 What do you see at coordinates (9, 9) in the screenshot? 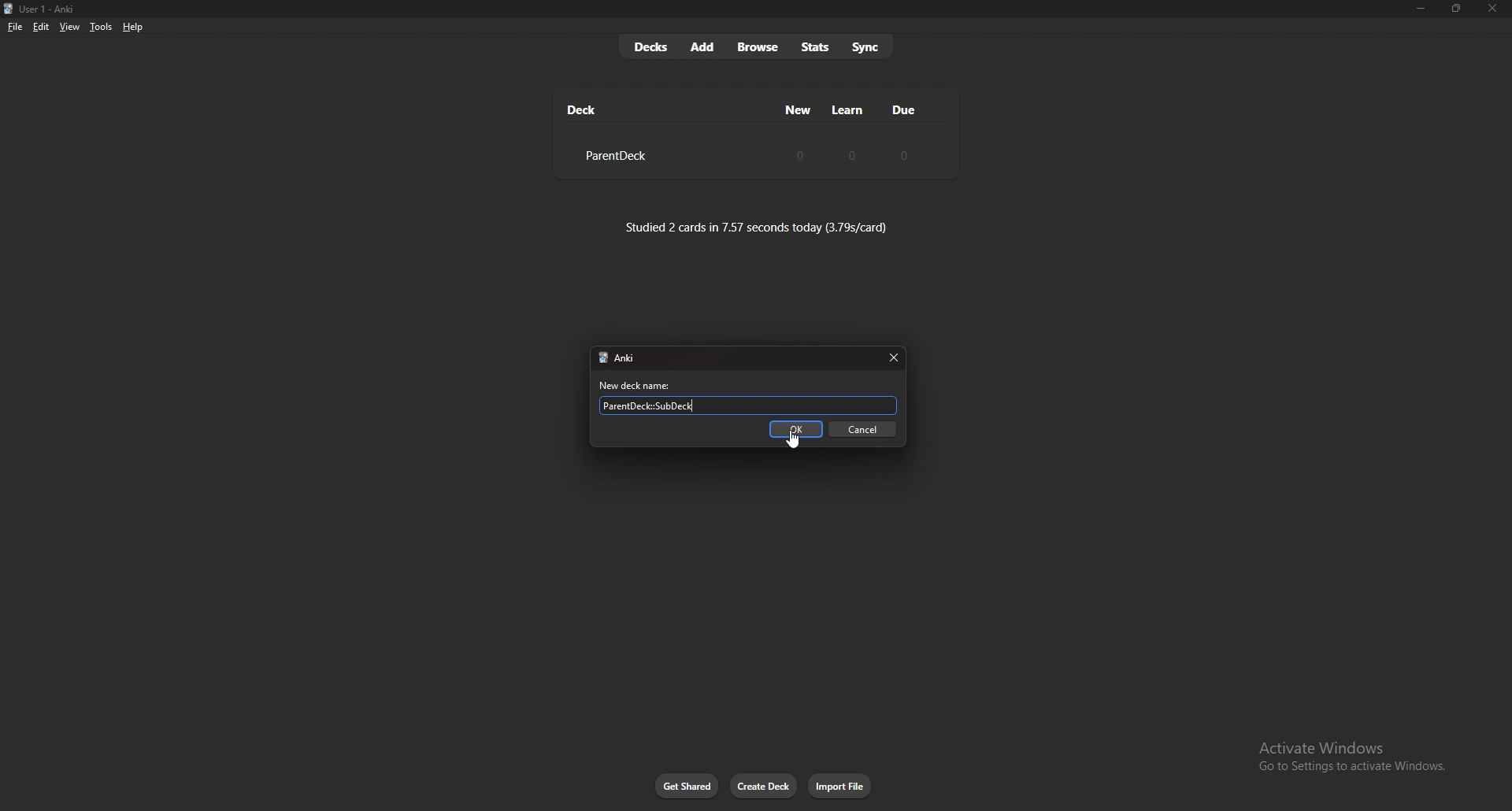
I see `logo` at bounding box center [9, 9].